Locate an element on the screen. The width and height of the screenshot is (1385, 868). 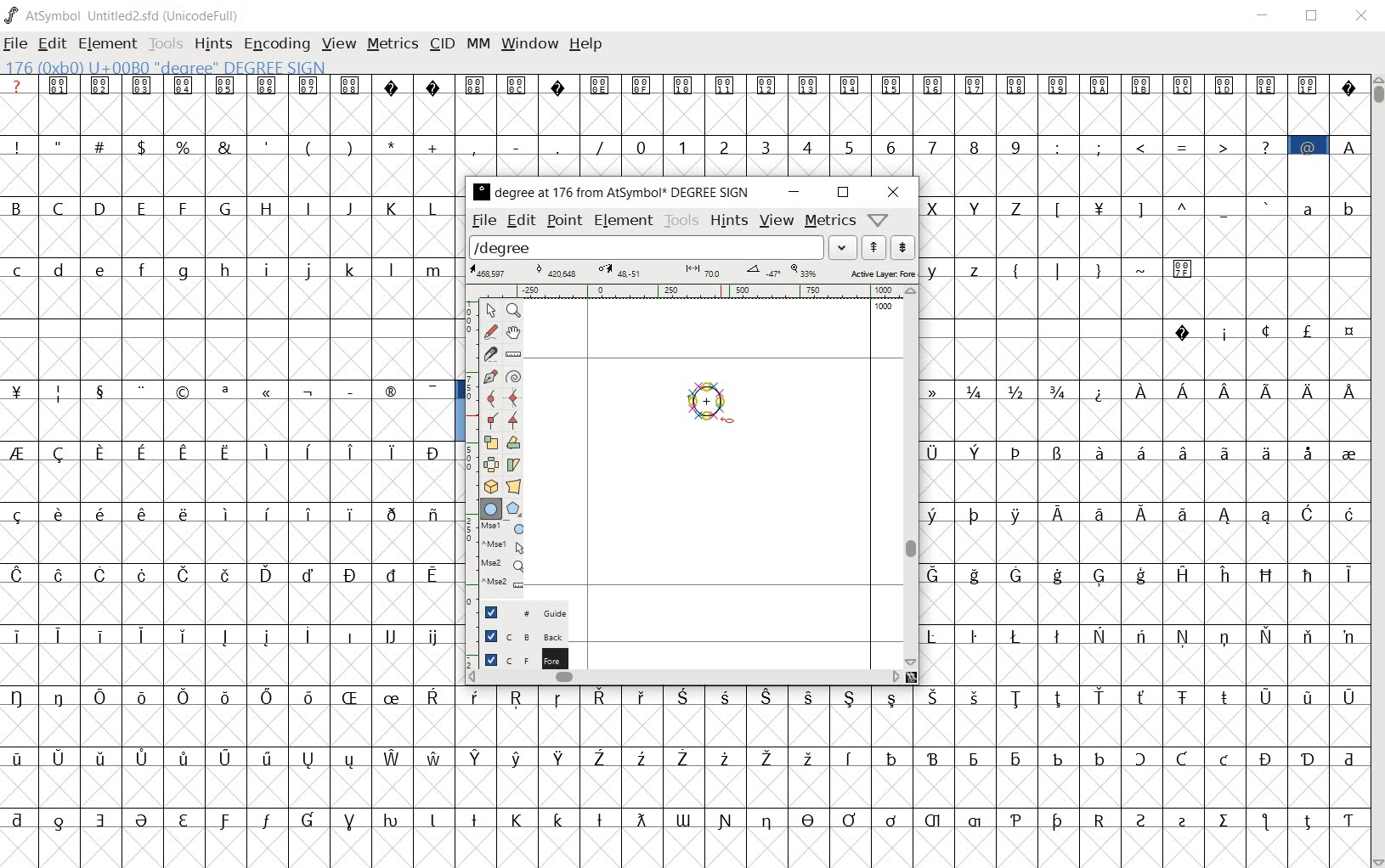
unicode code points is located at coordinates (499, 84).